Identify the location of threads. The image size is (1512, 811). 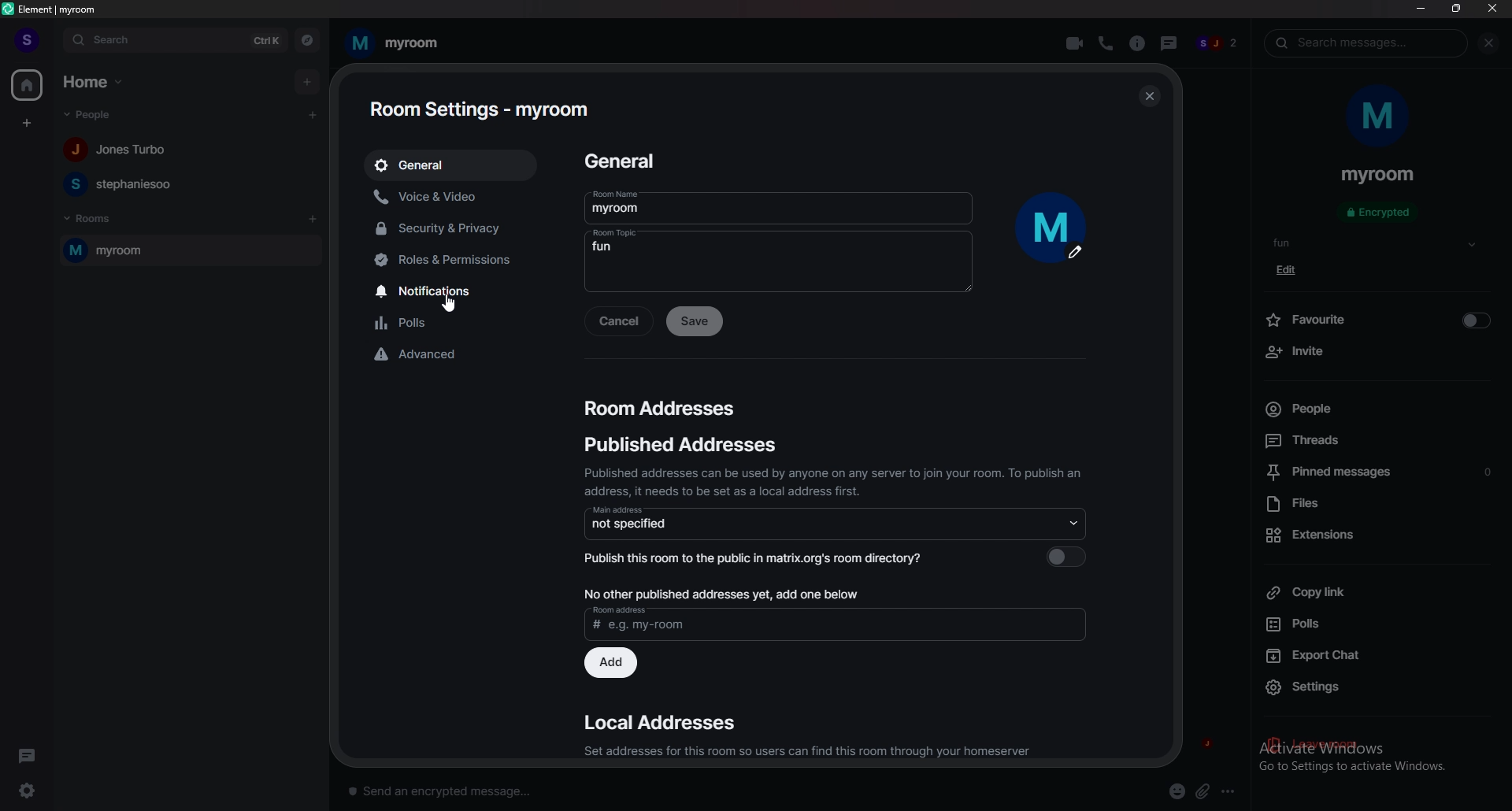
(1166, 41).